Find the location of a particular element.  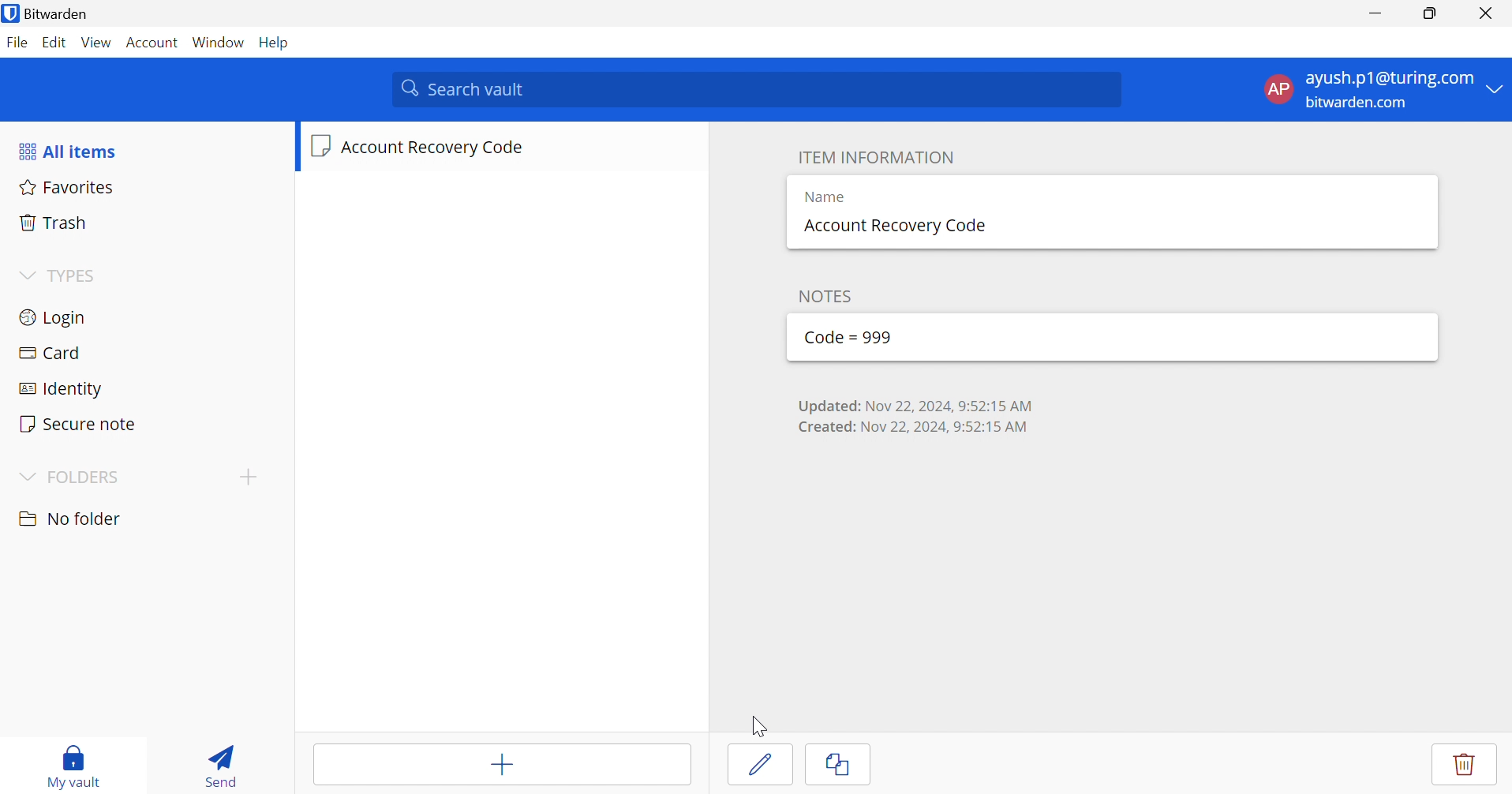

Favourites is located at coordinates (69, 189).